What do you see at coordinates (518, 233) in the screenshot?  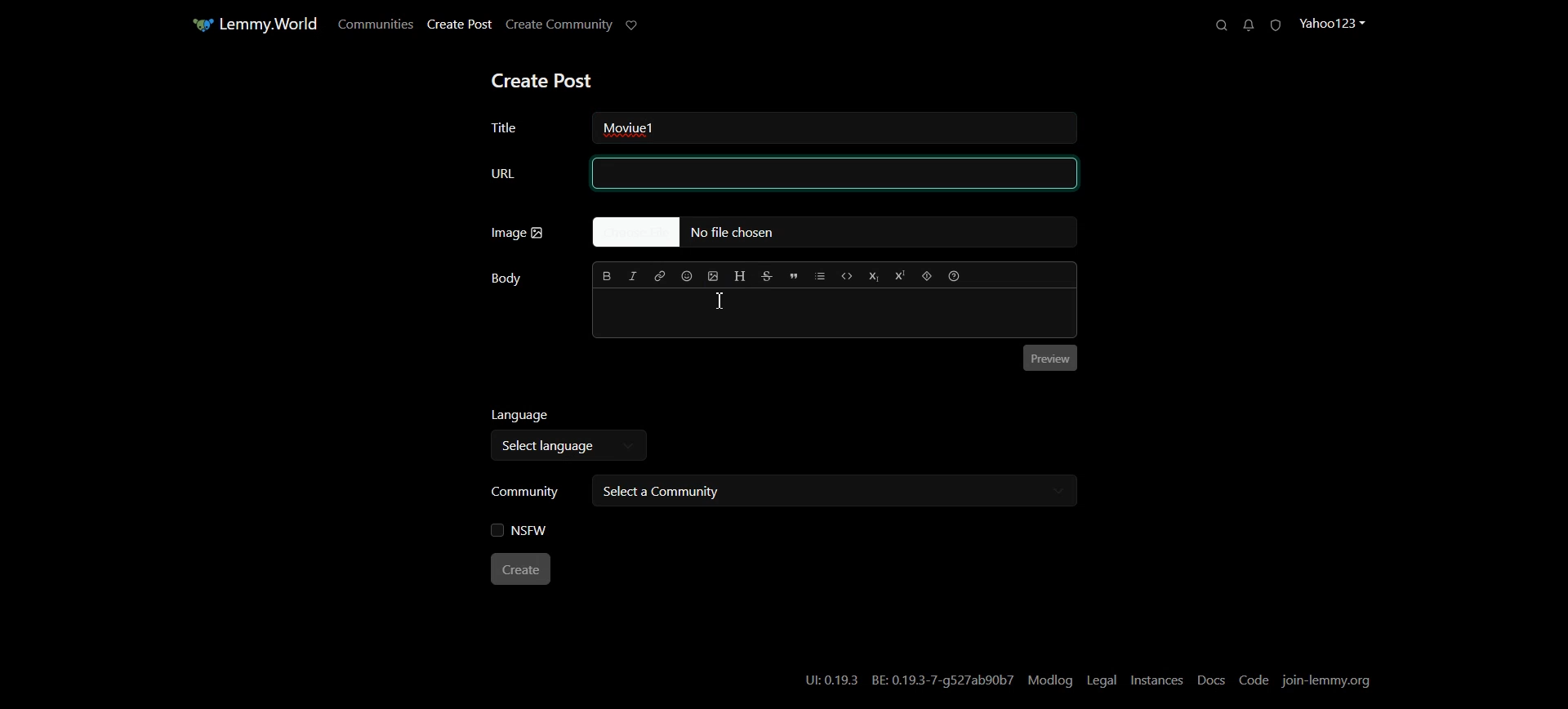 I see `Image` at bounding box center [518, 233].